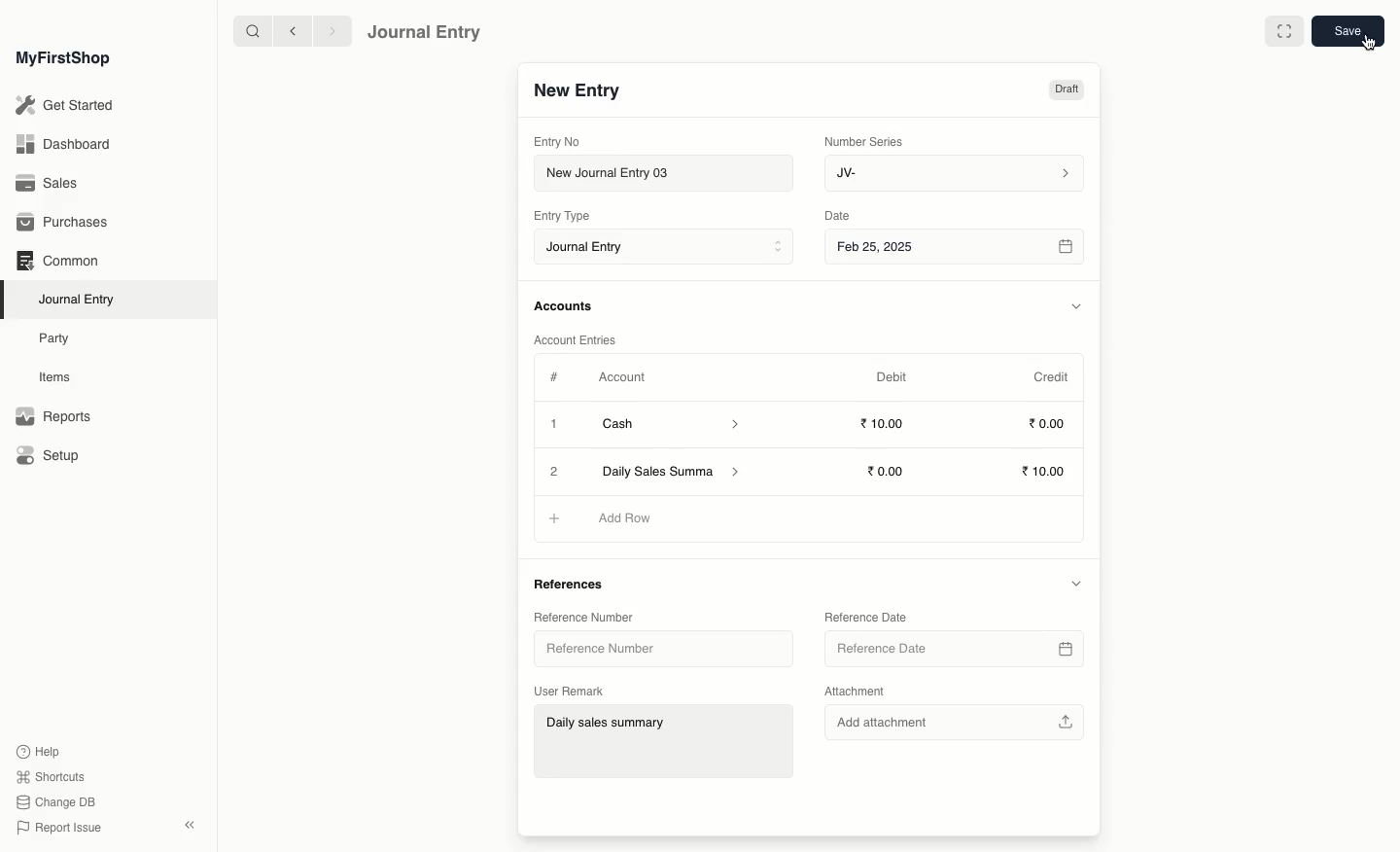 This screenshot has width=1400, height=852. What do you see at coordinates (558, 141) in the screenshot?
I see `Entry No` at bounding box center [558, 141].